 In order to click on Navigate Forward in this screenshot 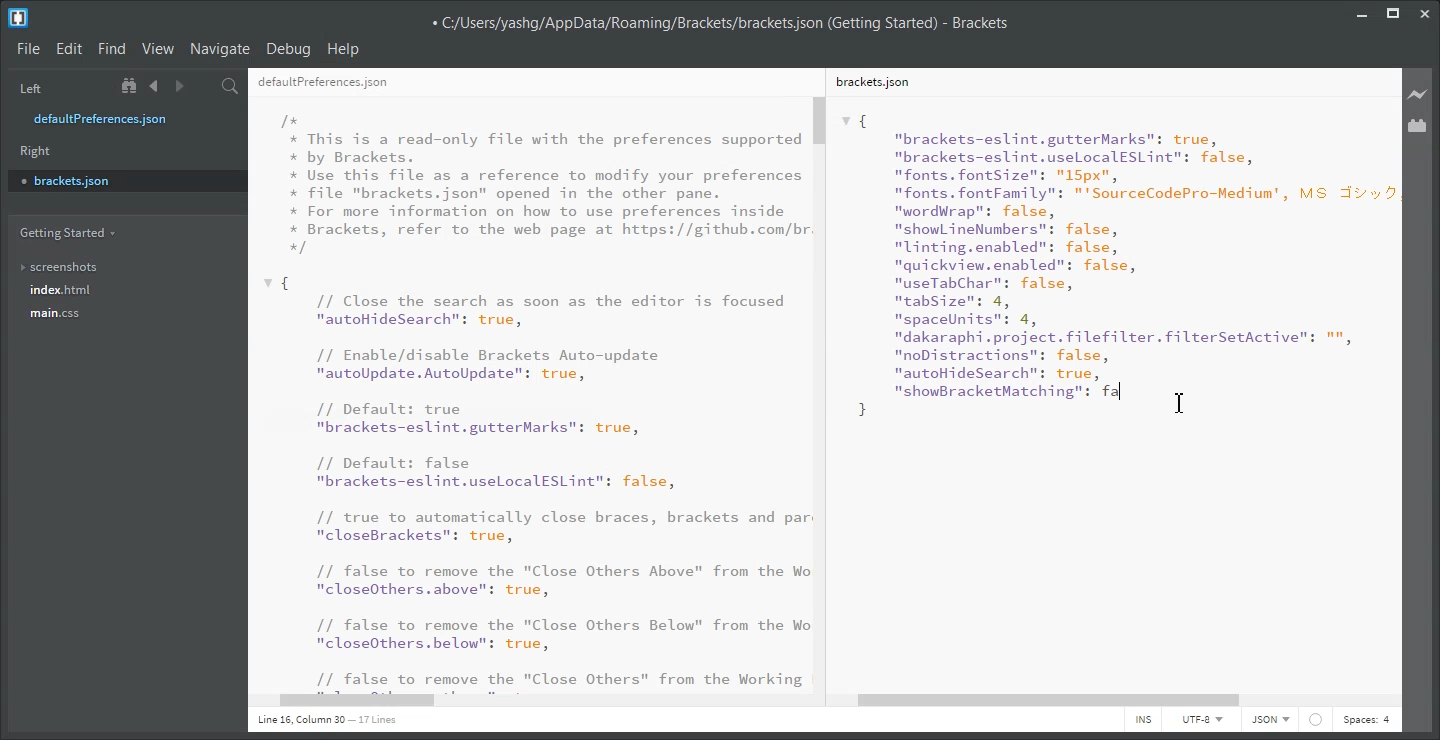, I will do `click(179, 86)`.